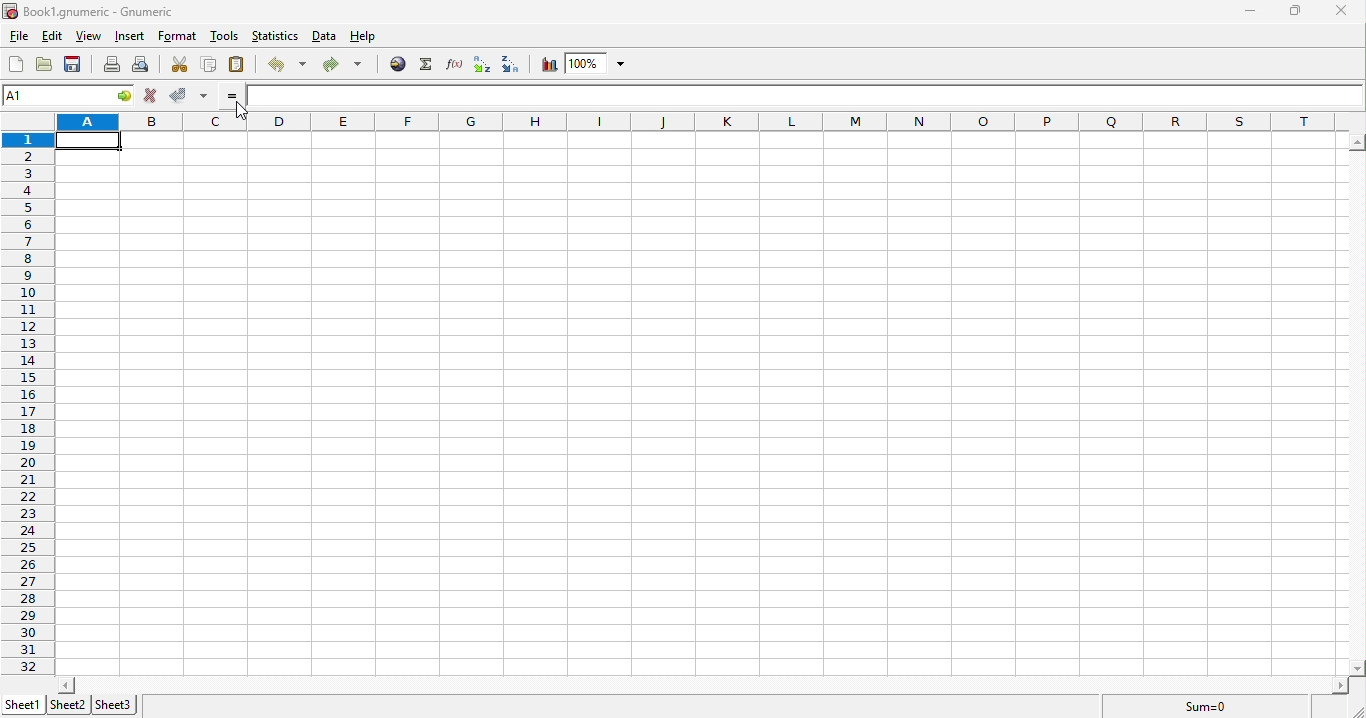 The width and height of the screenshot is (1366, 718). Describe the element at coordinates (225, 36) in the screenshot. I see `tools` at that location.